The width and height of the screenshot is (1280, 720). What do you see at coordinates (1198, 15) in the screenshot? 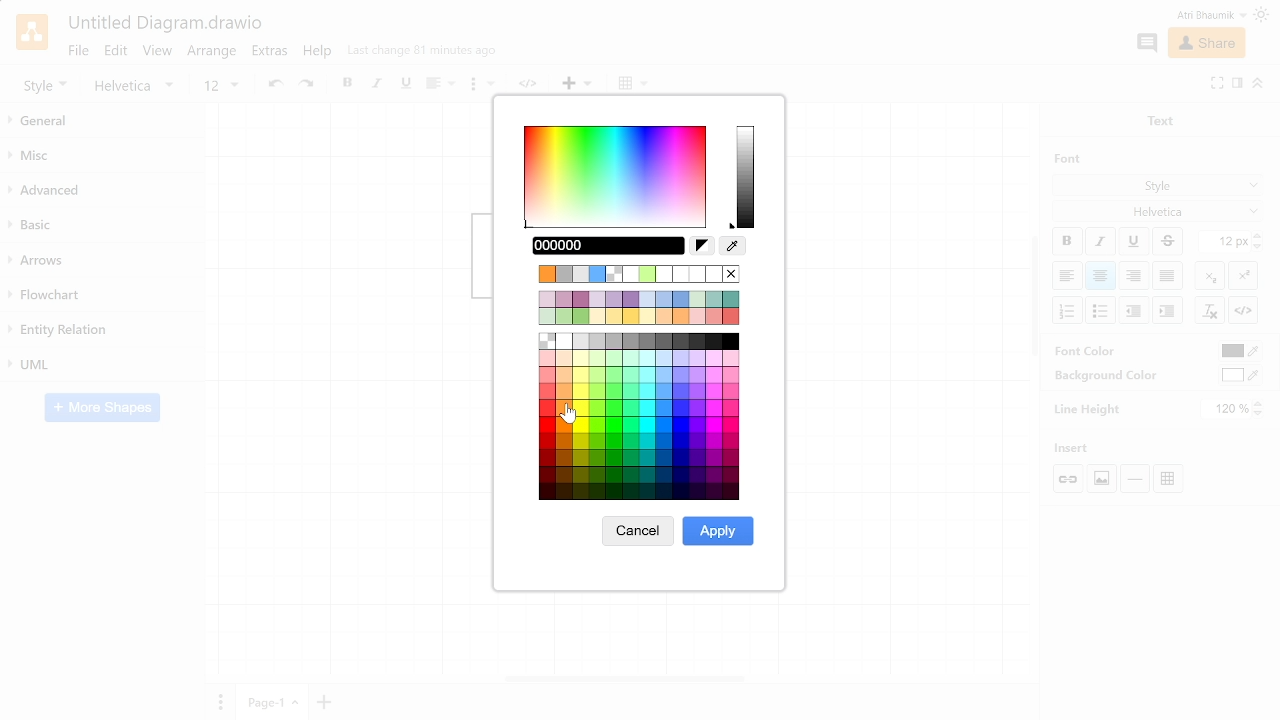
I see `Profile` at bounding box center [1198, 15].